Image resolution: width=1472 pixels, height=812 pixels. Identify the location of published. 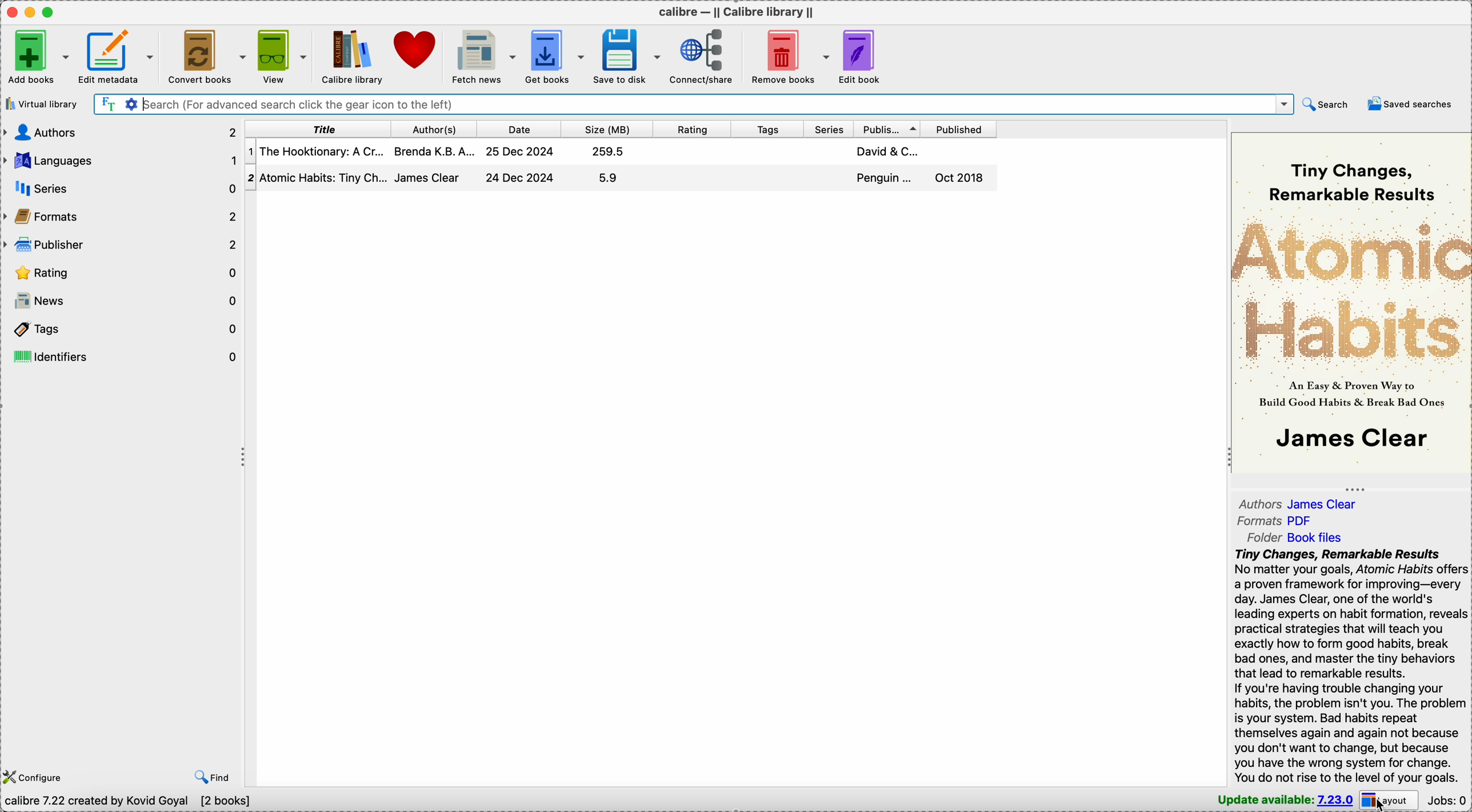
(959, 129).